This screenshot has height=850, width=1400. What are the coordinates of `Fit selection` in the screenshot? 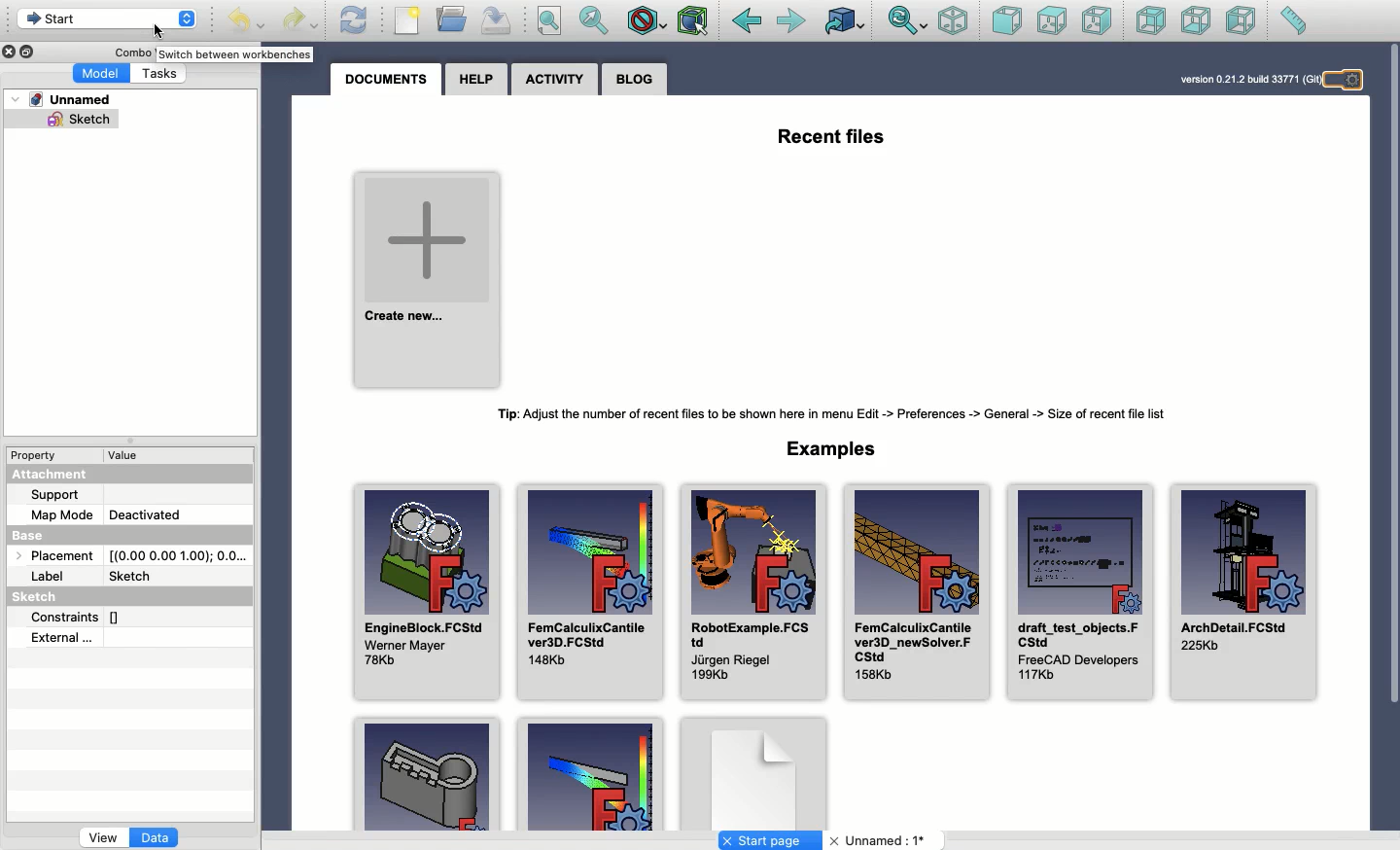 It's located at (595, 20).